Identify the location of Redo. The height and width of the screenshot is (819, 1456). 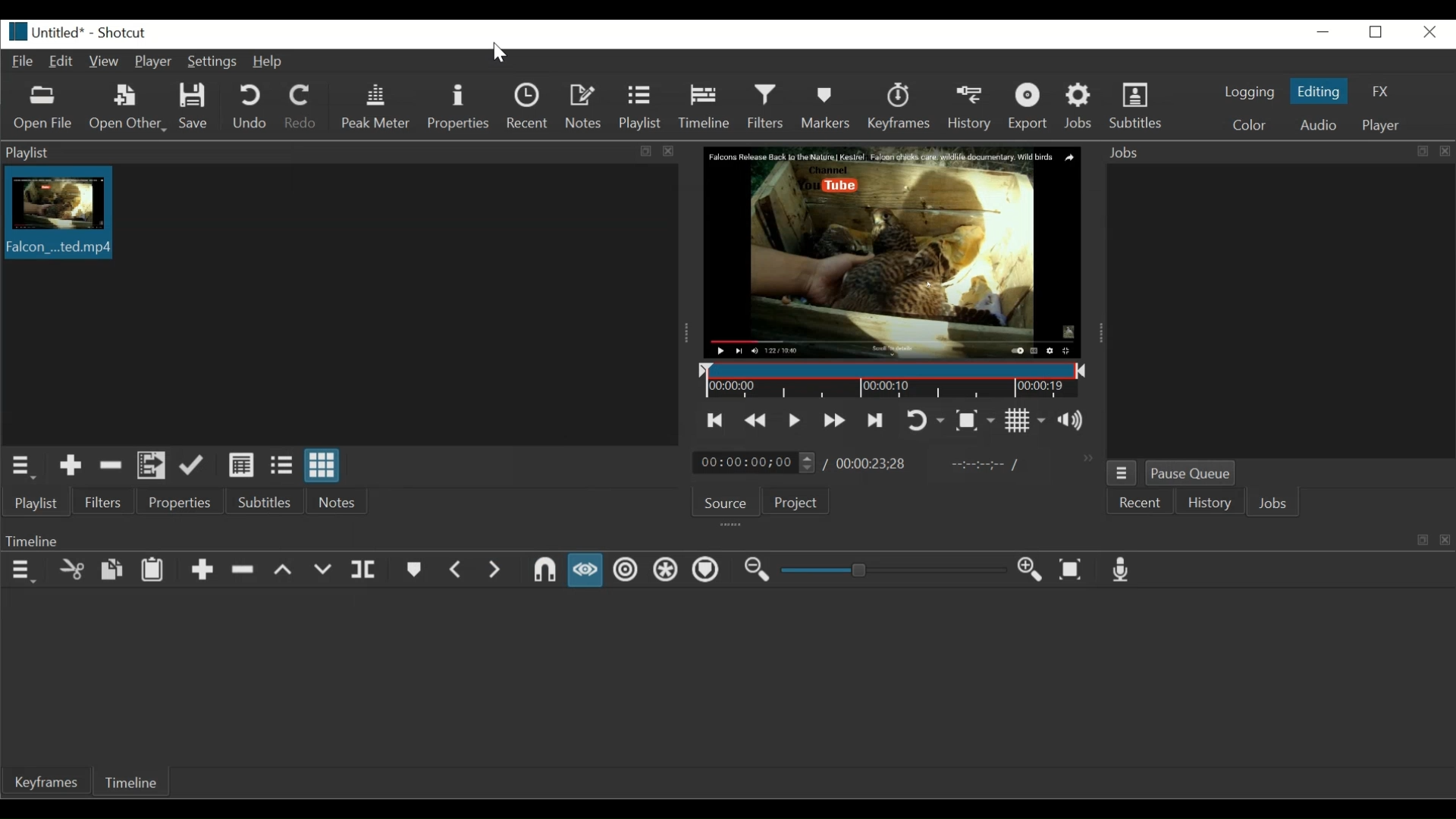
(301, 106).